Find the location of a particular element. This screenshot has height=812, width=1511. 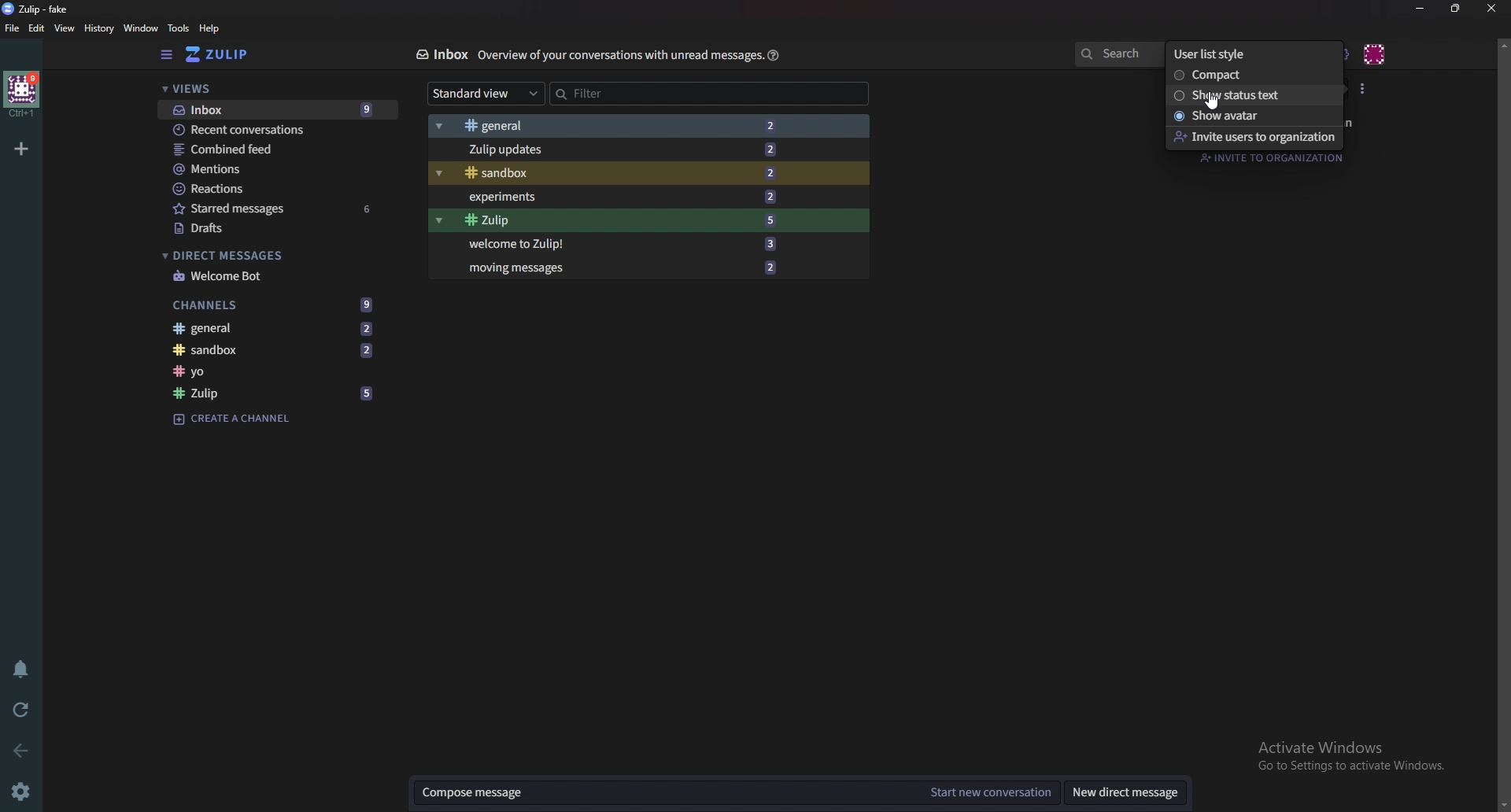

welcome bot is located at coordinates (274, 275).